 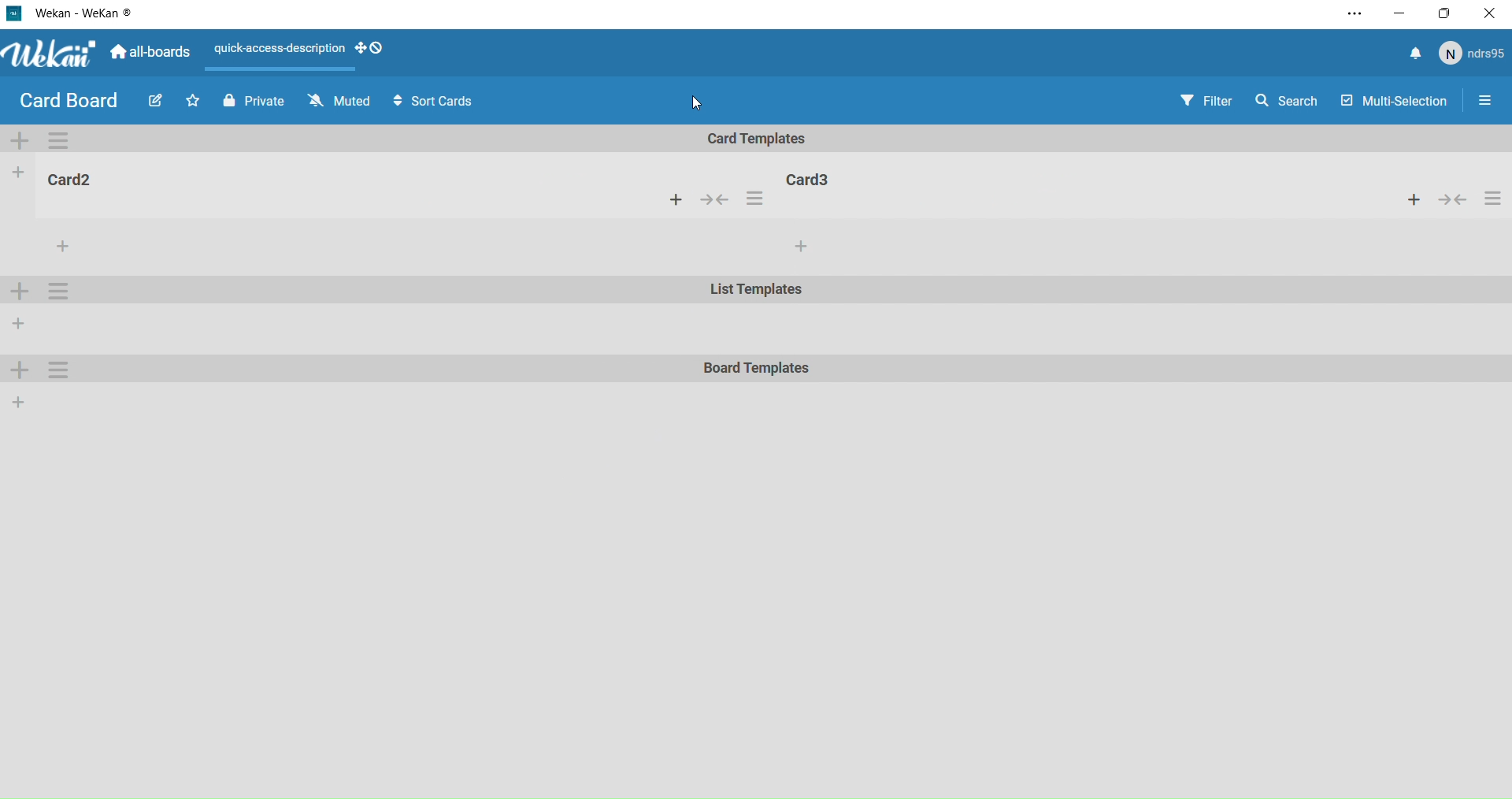 What do you see at coordinates (1352, 17) in the screenshot?
I see `Settings and more` at bounding box center [1352, 17].